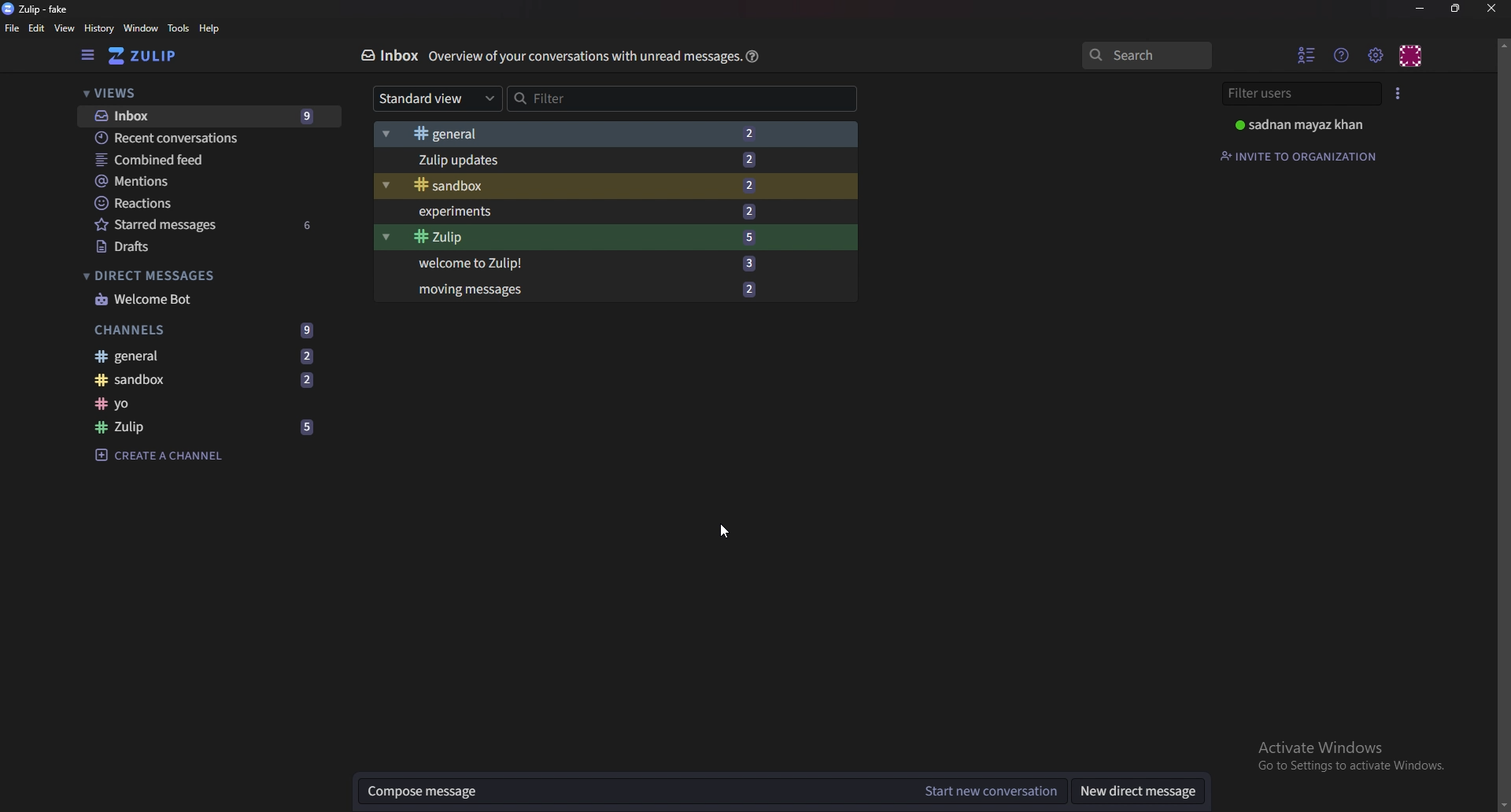 This screenshot has height=812, width=1511. What do you see at coordinates (181, 27) in the screenshot?
I see `Tools` at bounding box center [181, 27].